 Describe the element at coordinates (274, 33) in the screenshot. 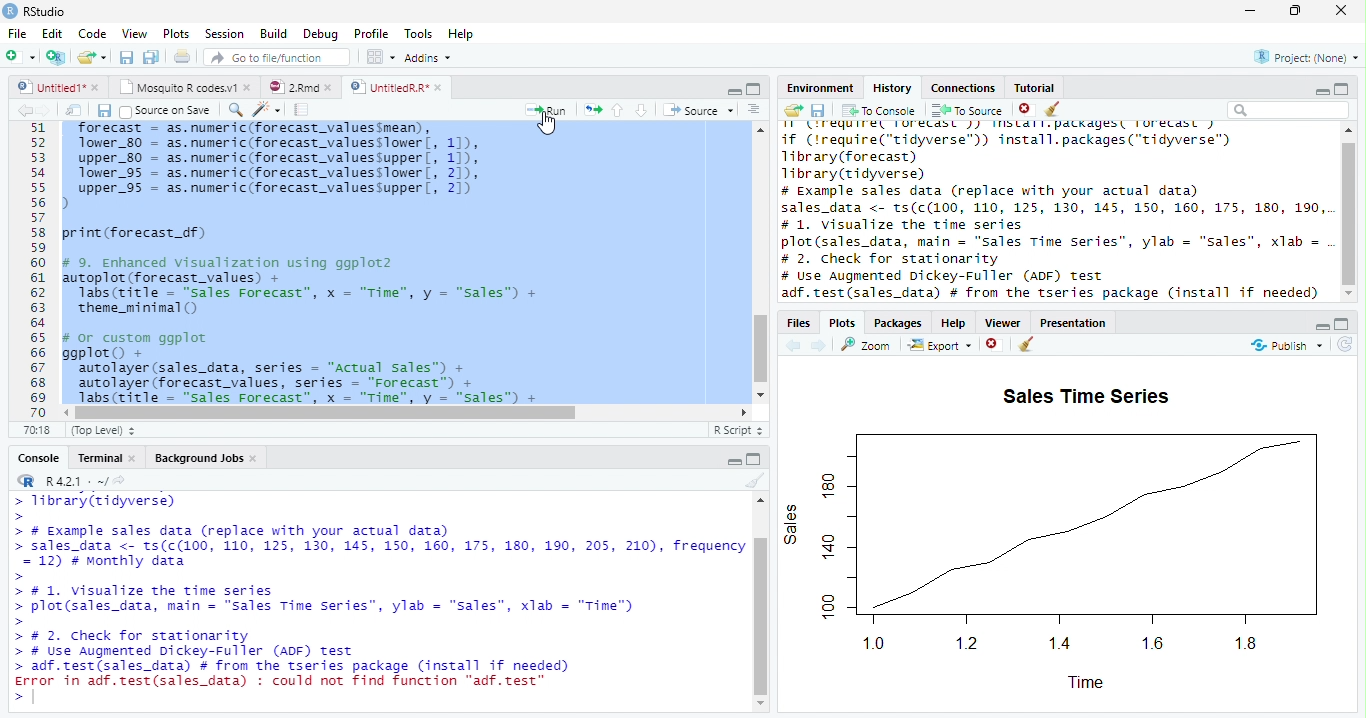

I see `Build` at that location.